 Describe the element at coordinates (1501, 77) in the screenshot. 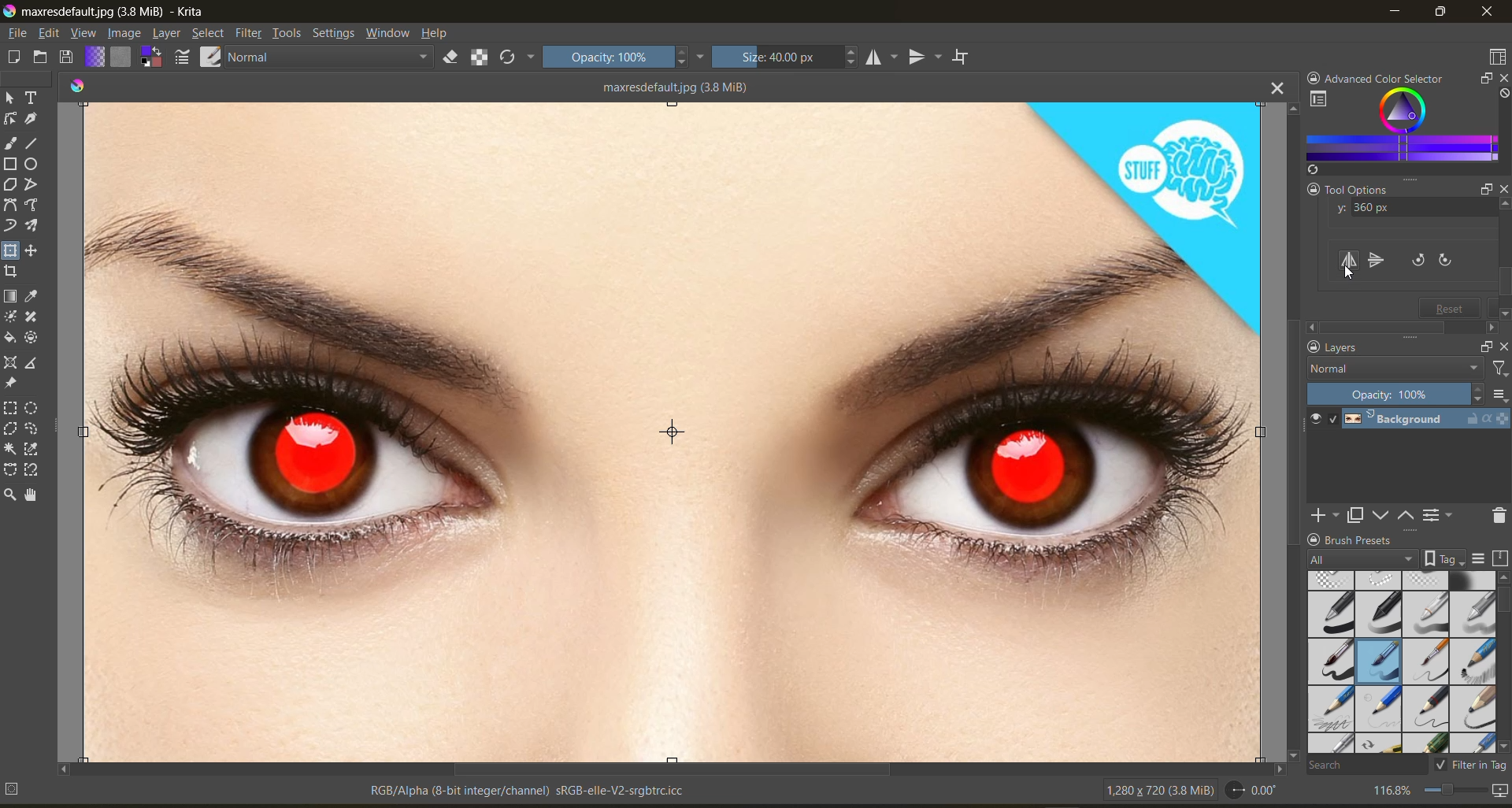

I see `close docker` at that location.